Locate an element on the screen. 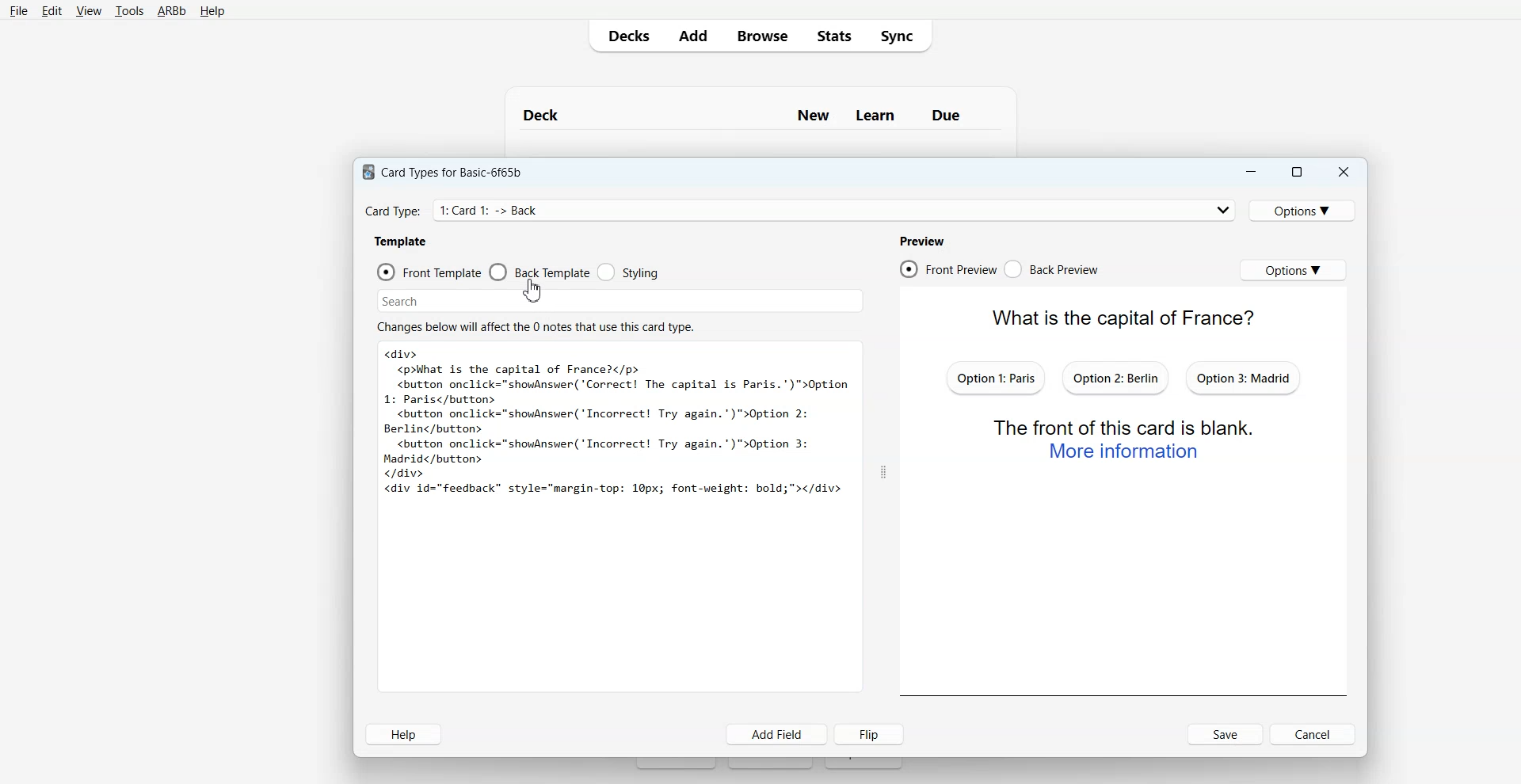  Back Template is located at coordinates (540, 271).